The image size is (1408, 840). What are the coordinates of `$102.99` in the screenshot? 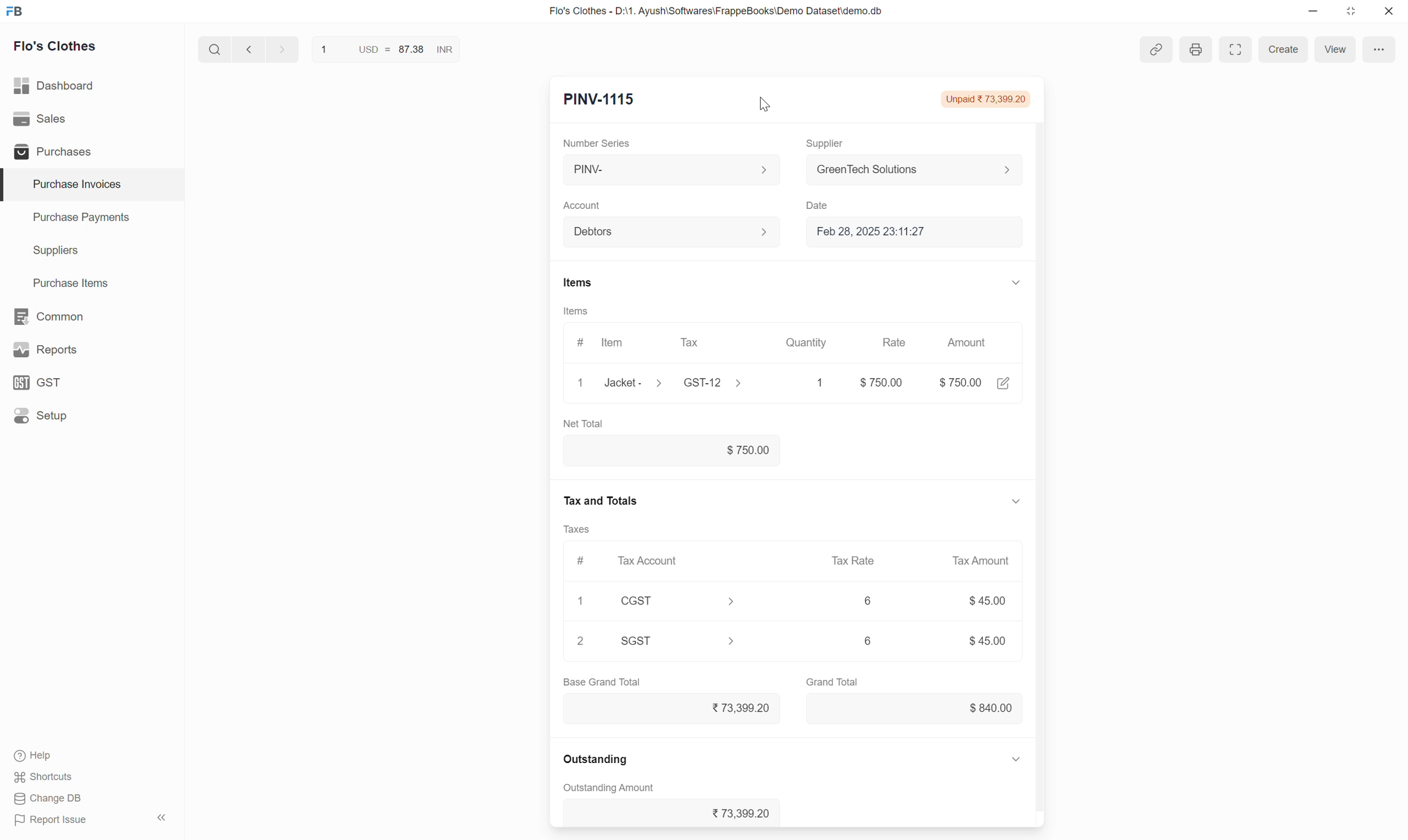 It's located at (672, 451).